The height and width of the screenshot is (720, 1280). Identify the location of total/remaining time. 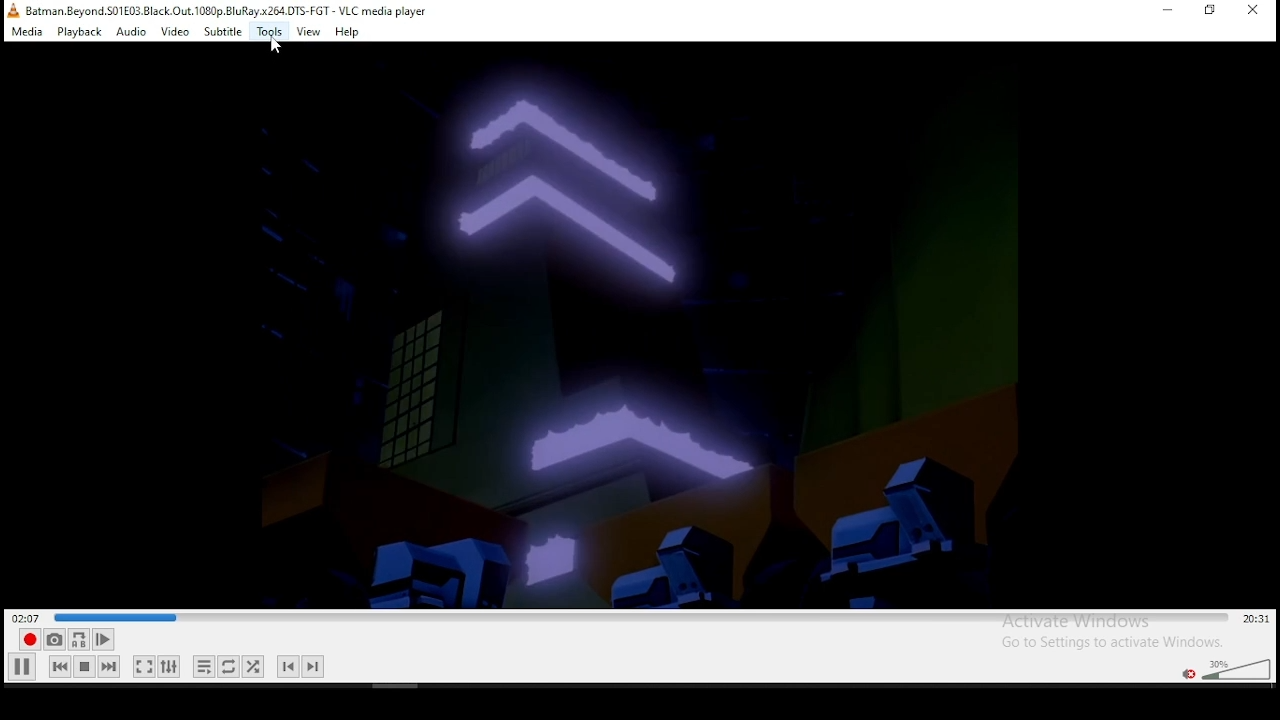
(1258, 619).